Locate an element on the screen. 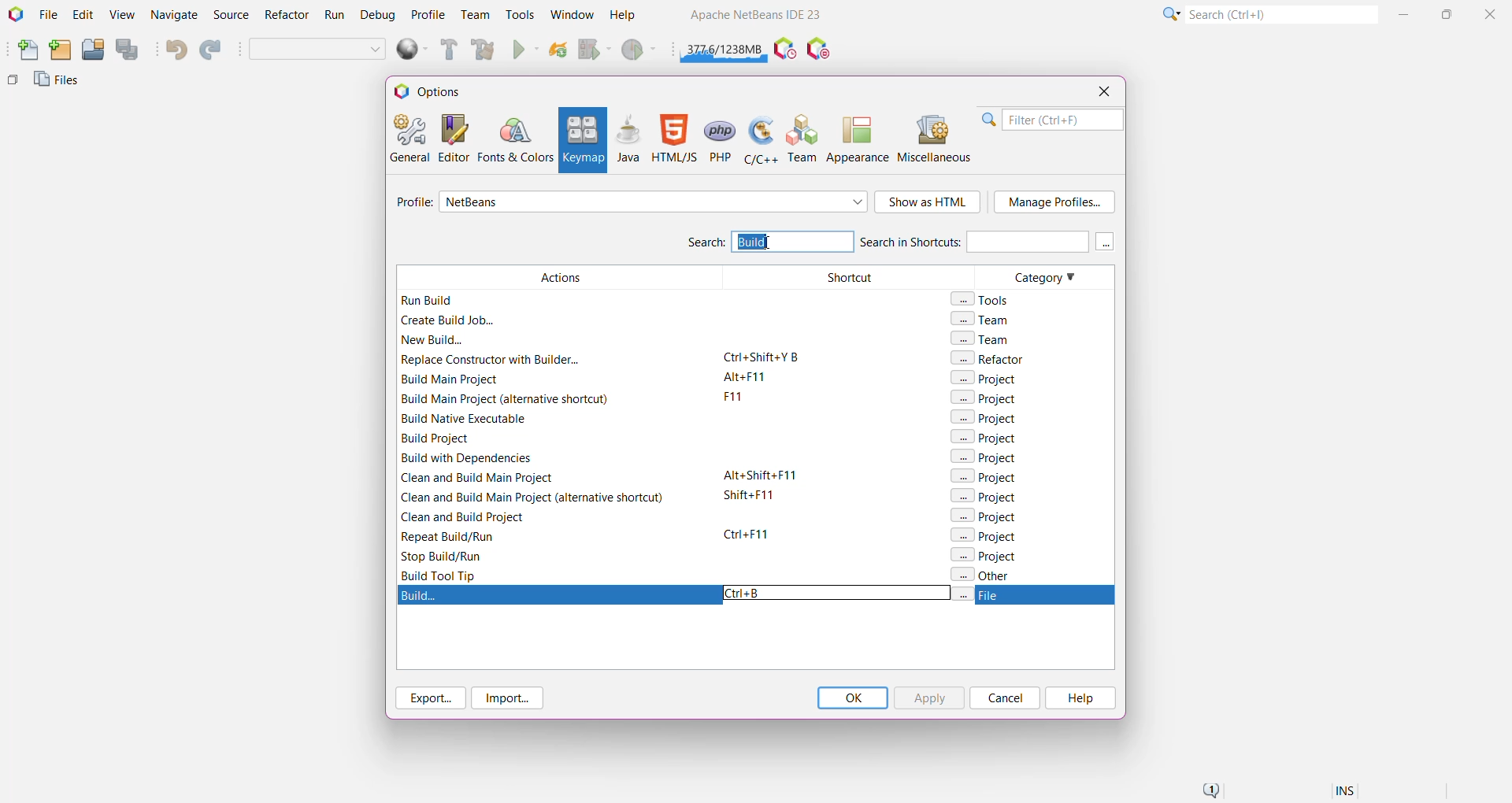 The height and width of the screenshot is (803, 1512). Keymap is located at coordinates (581, 140).